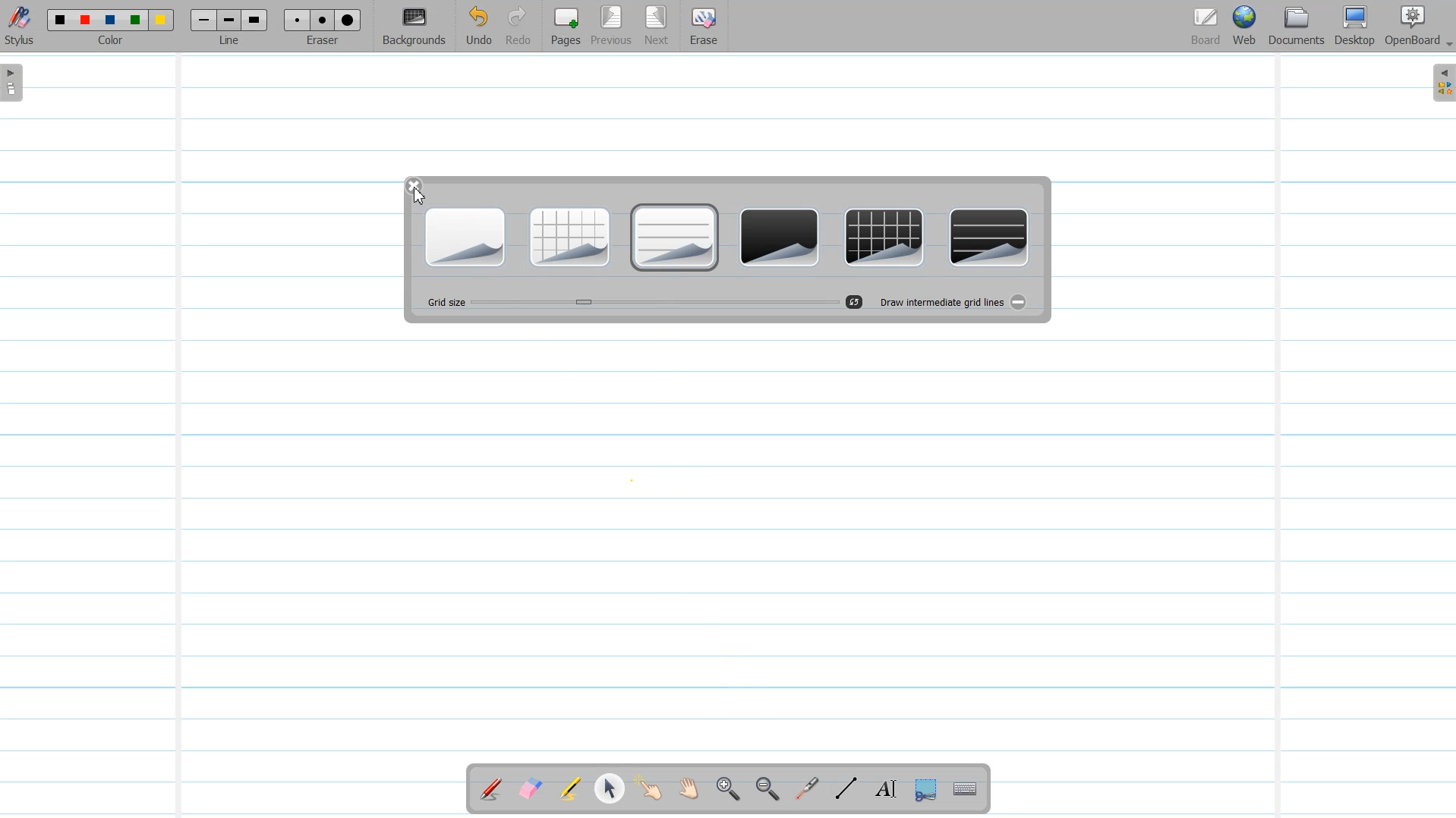  What do you see at coordinates (950, 301) in the screenshot?
I see `Draw Intermediate grid lines` at bounding box center [950, 301].